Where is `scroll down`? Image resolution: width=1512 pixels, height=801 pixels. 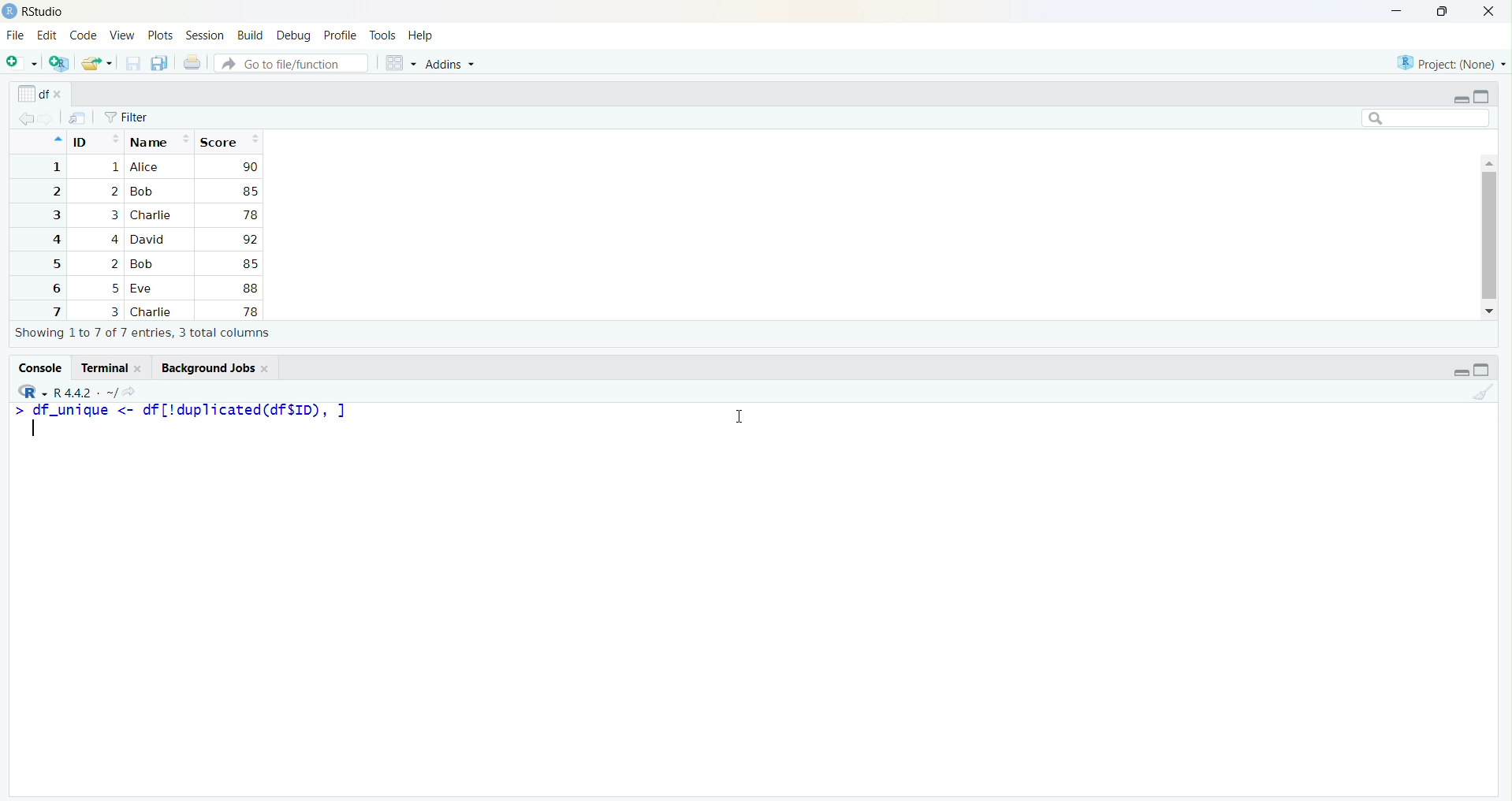
scroll down is located at coordinates (1491, 311).